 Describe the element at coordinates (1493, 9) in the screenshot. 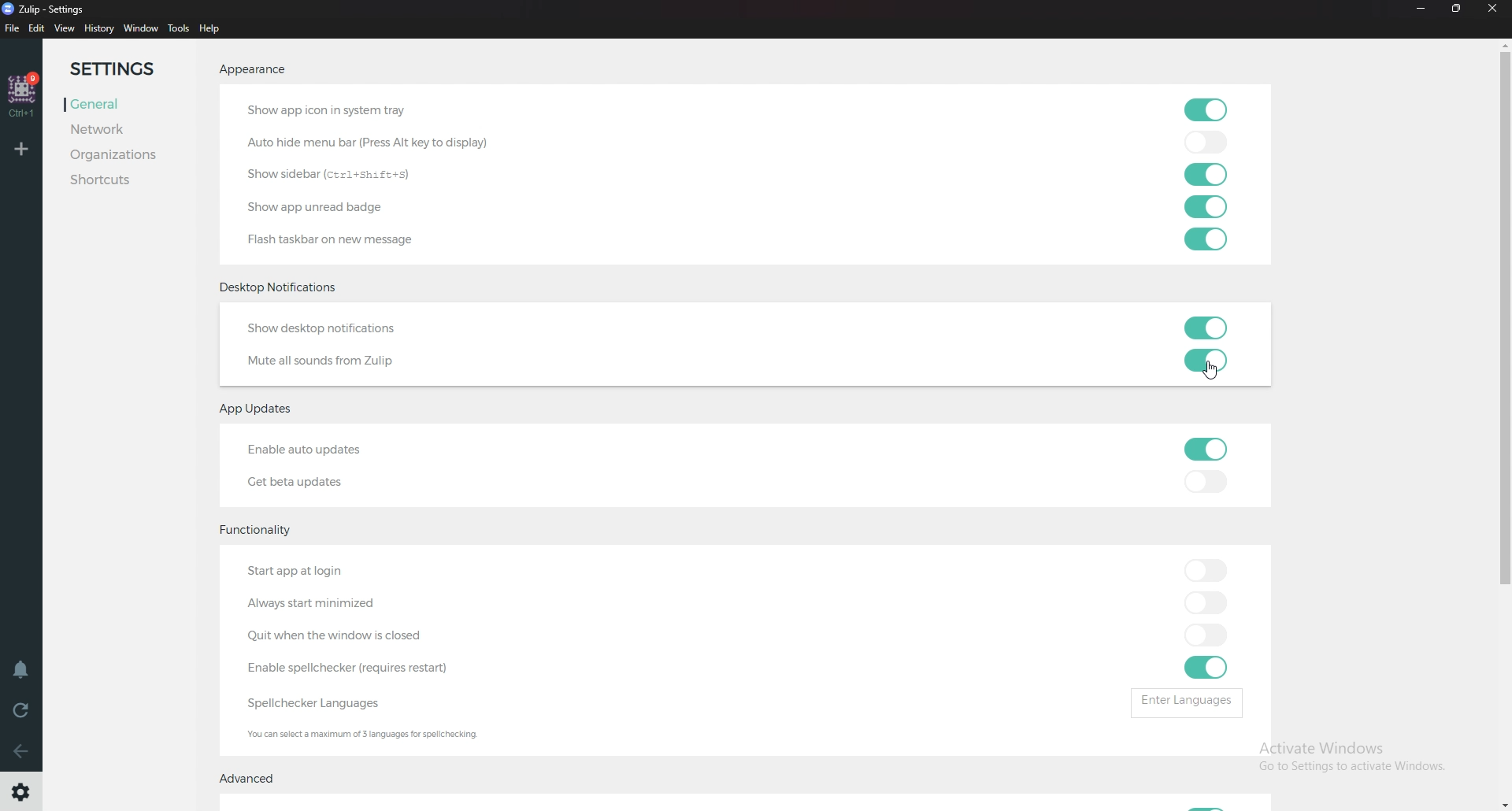

I see `Close` at that location.